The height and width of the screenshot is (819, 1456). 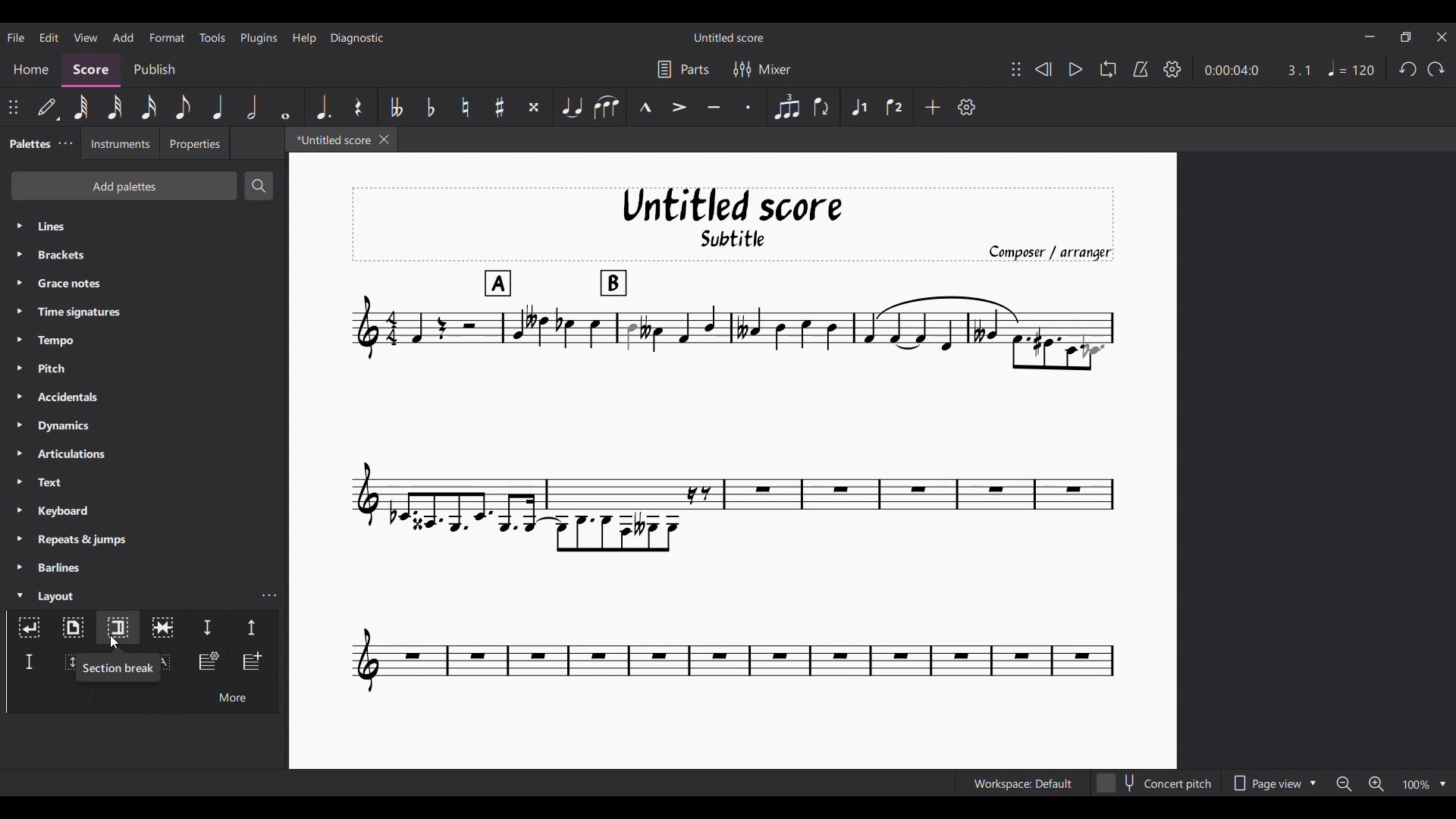 What do you see at coordinates (145, 312) in the screenshot?
I see `Time signatures` at bounding box center [145, 312].